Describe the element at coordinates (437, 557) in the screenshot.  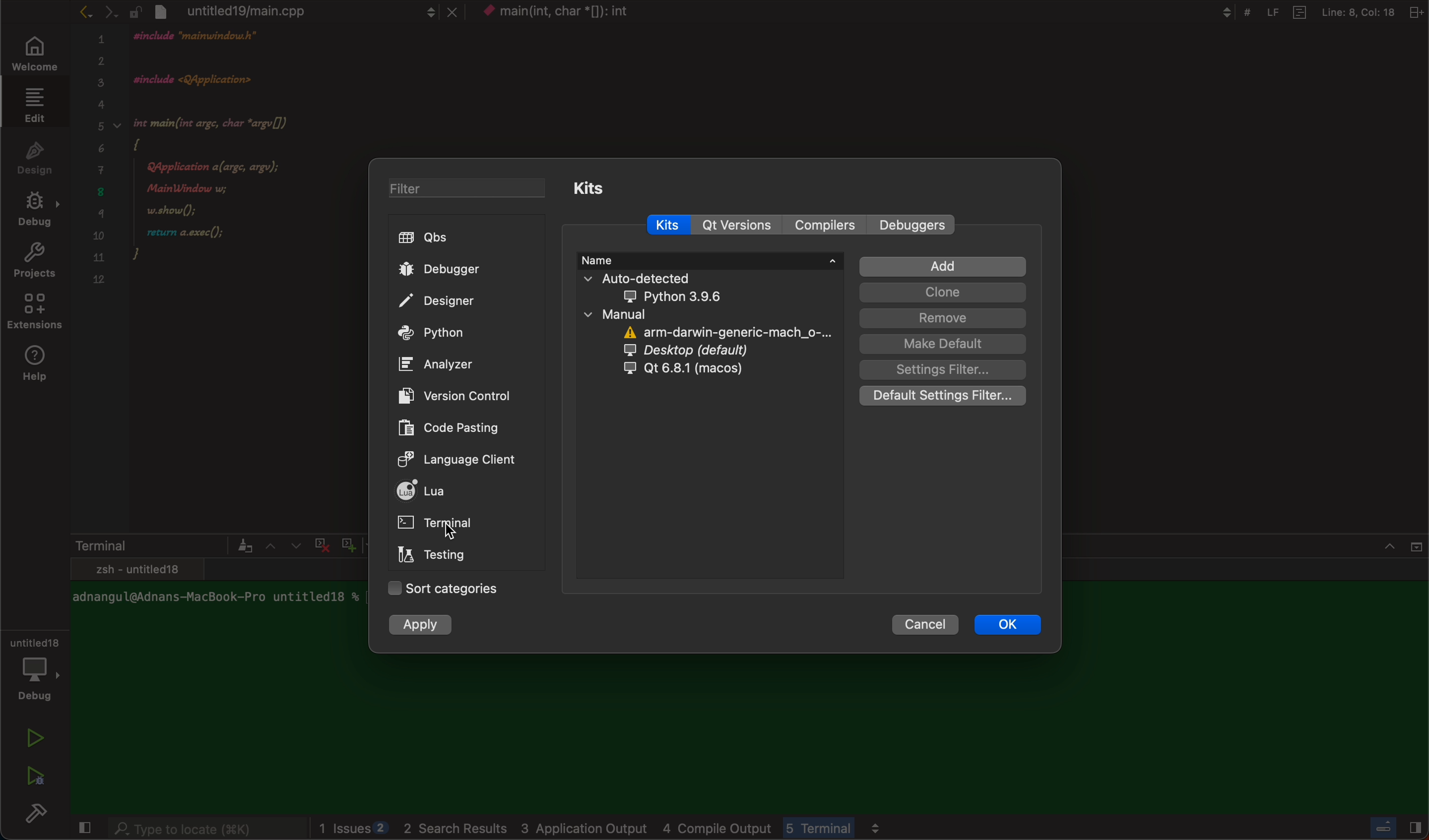
I see `testing` at that location.